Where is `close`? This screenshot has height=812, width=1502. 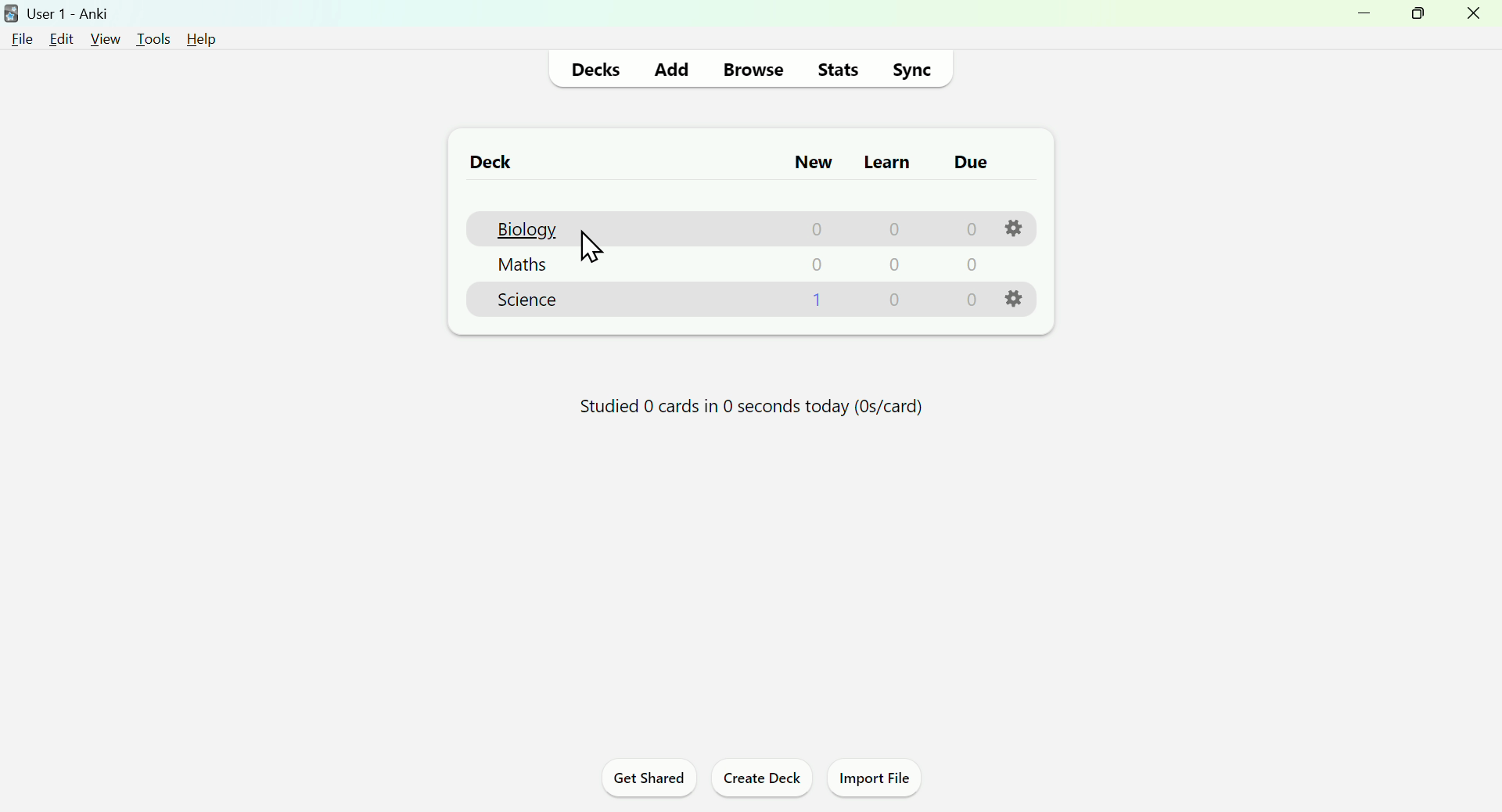 close is located at coordinates (1474, 16).